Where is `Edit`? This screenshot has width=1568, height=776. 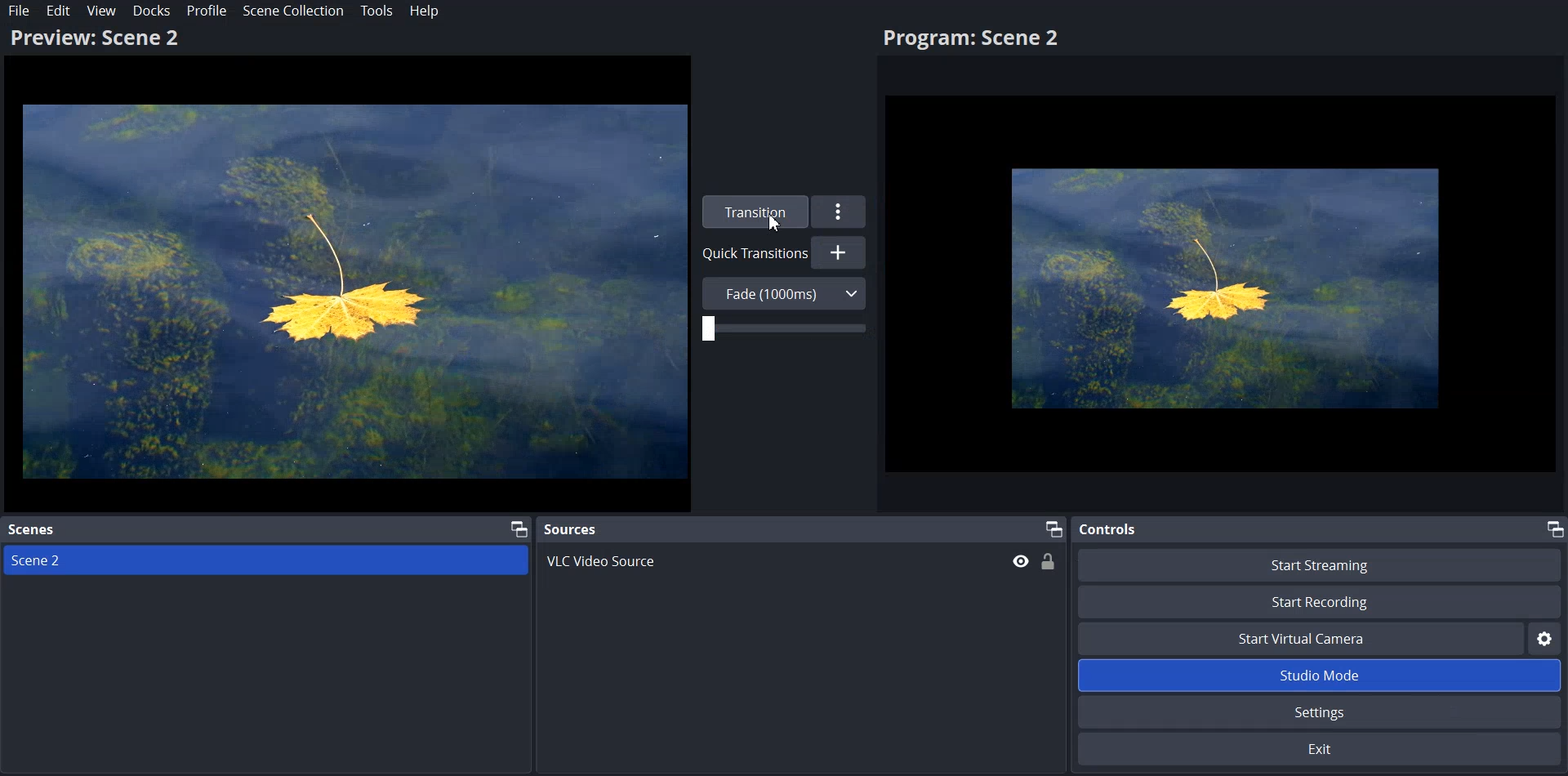 Edit is located at coordinates (58, 11).